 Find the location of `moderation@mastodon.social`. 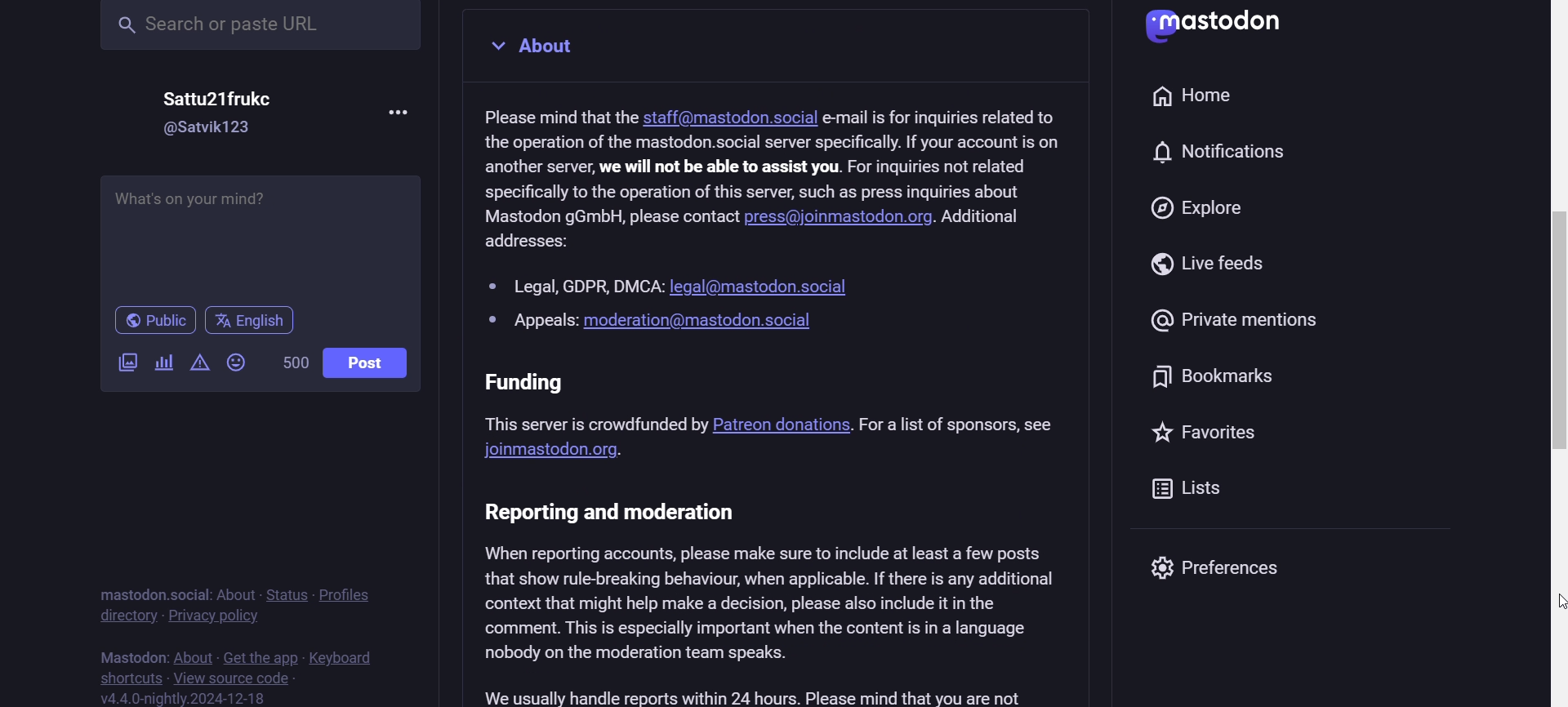

moderation@mastodon.social is located at coordinates (702, 321).